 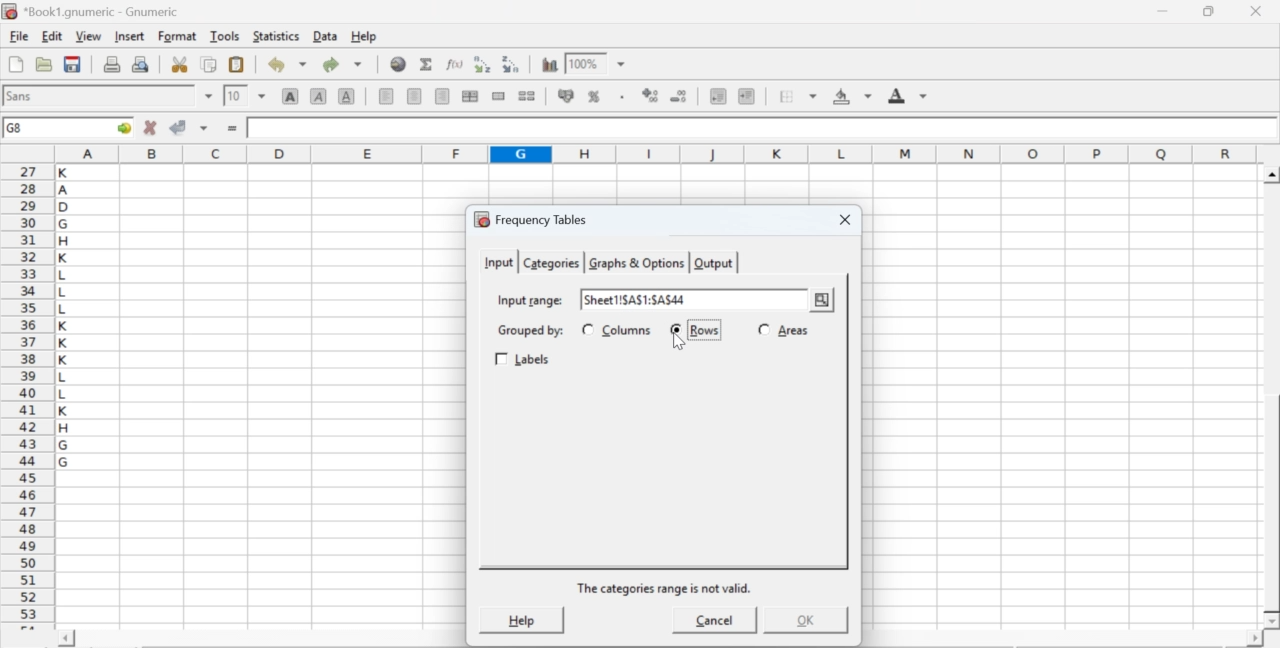 I want to click on print, so click(x=112, y=63).